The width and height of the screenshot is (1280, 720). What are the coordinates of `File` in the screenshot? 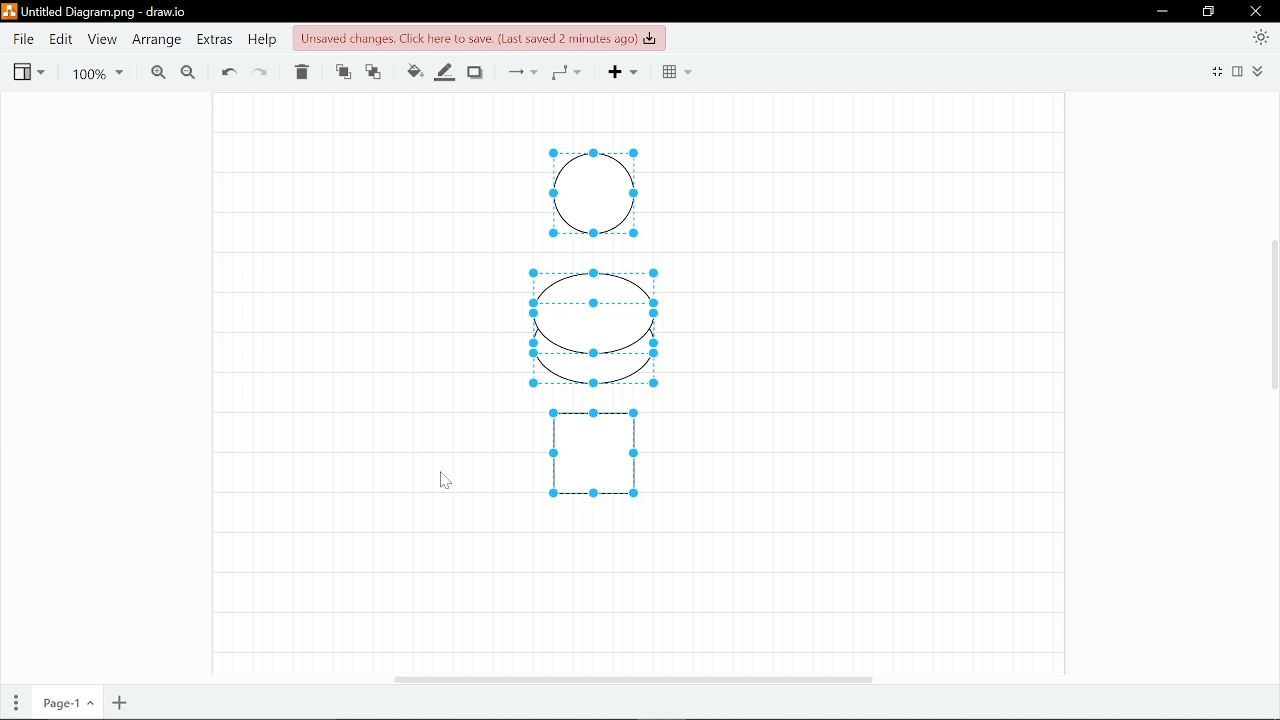 It's located at (24, 39).